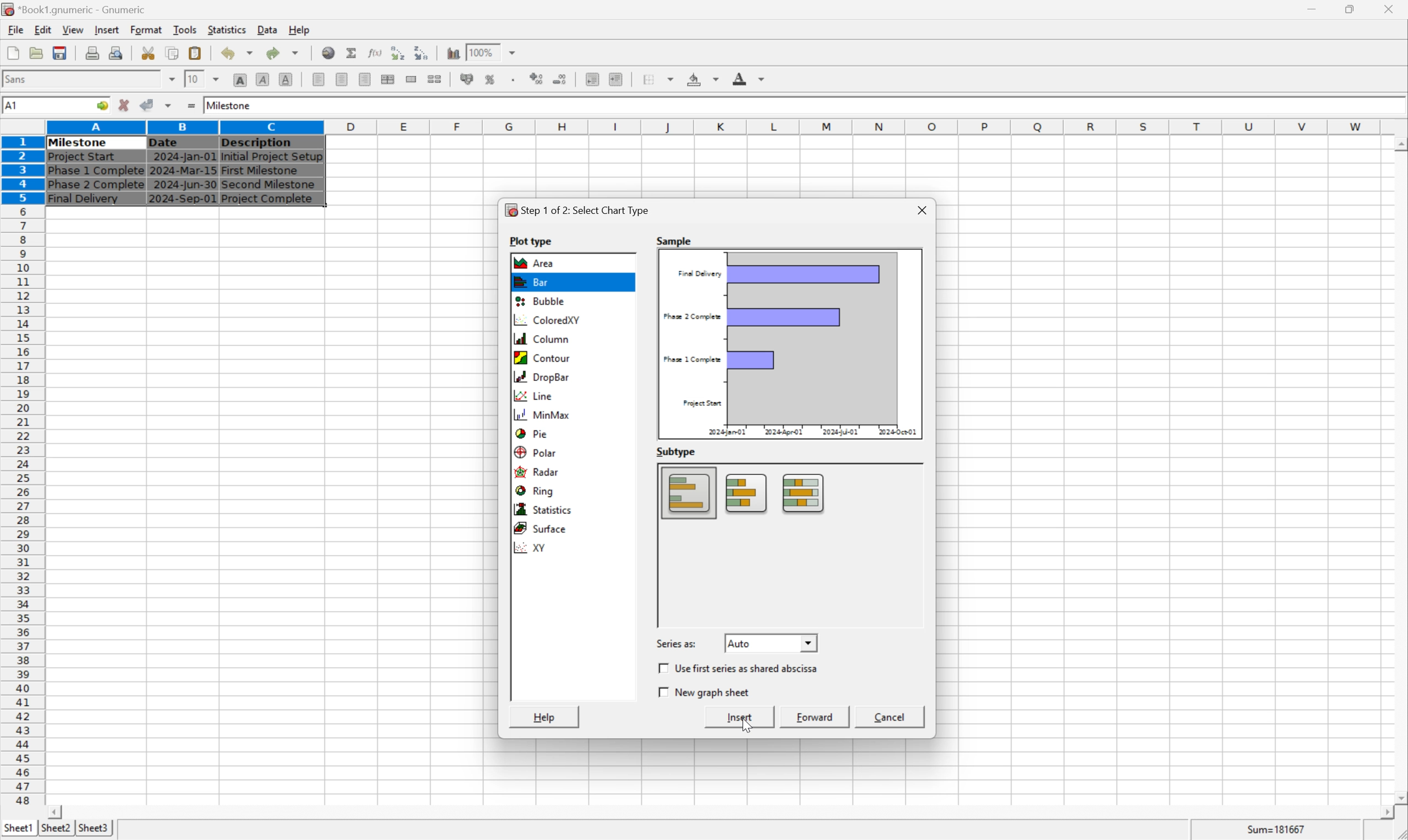  I want to click on bubble, so click(537, 302).